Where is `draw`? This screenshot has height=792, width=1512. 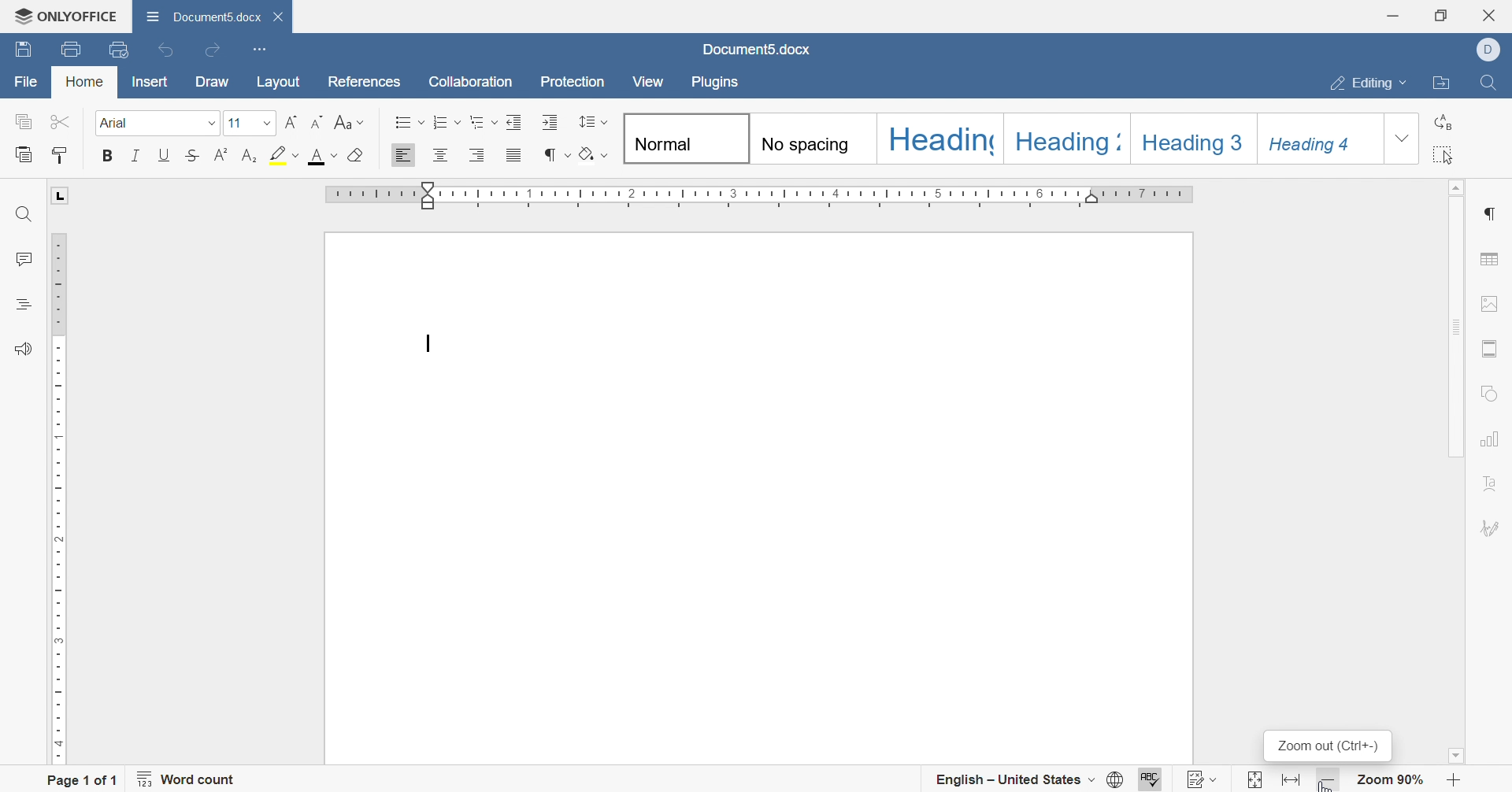
draw is located at coordinates (213, 81).